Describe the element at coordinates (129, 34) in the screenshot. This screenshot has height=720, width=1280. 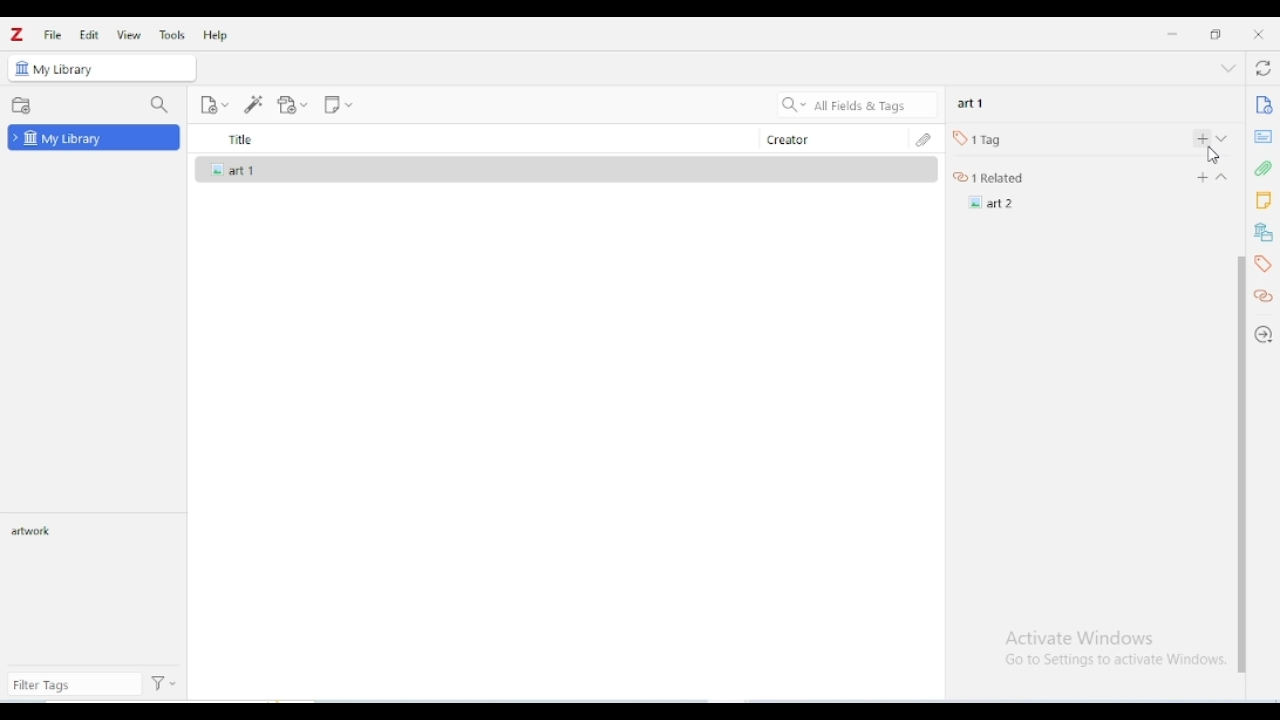
I see `view` at that location.